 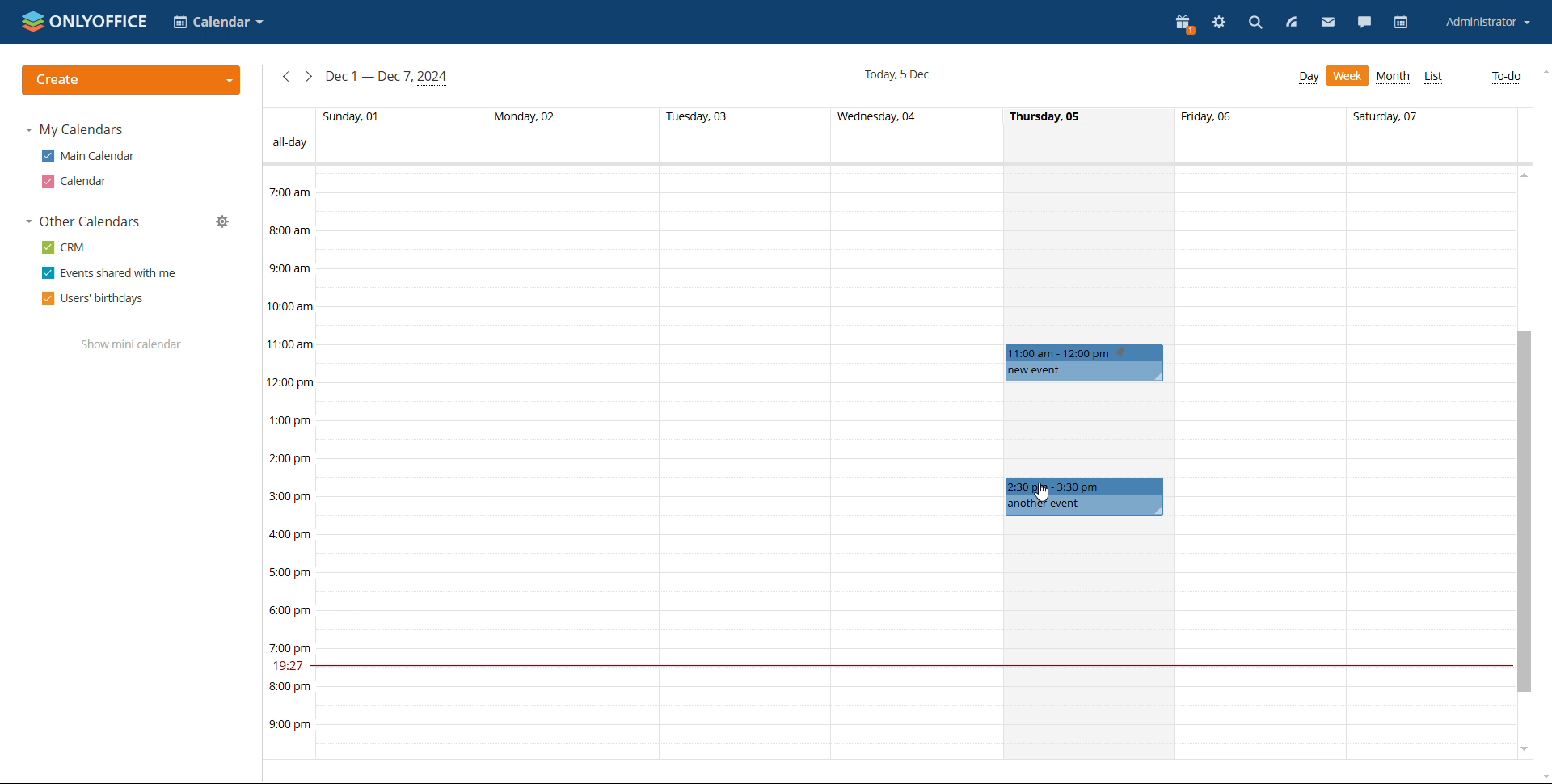 What do you see at coordinates (1523, 748) in the screenshot?
I see `scroll down` at bounding box center [1523, 748].